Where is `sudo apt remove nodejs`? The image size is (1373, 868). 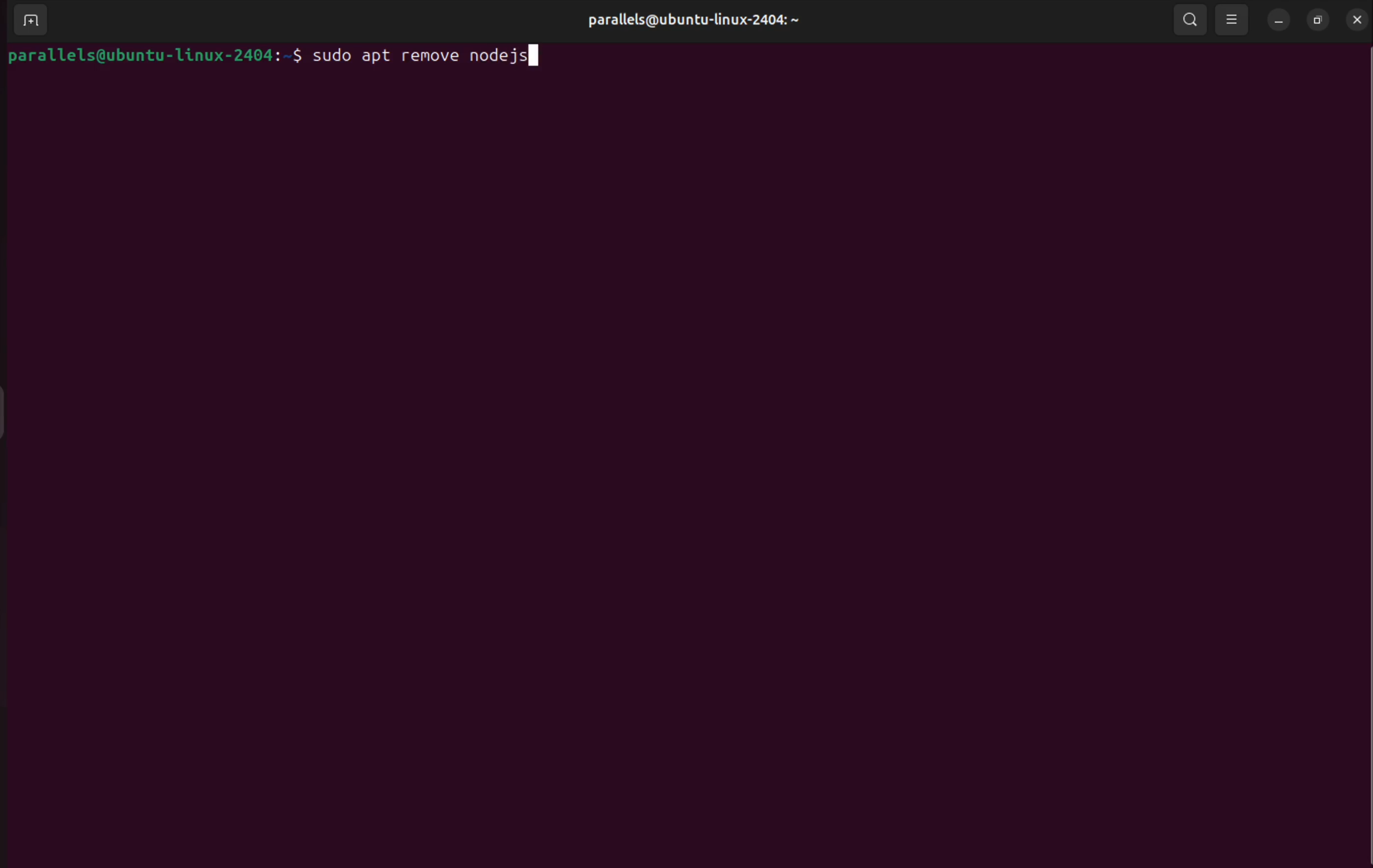 sudo apt remove nodejs is located at coordinates (438, 58).